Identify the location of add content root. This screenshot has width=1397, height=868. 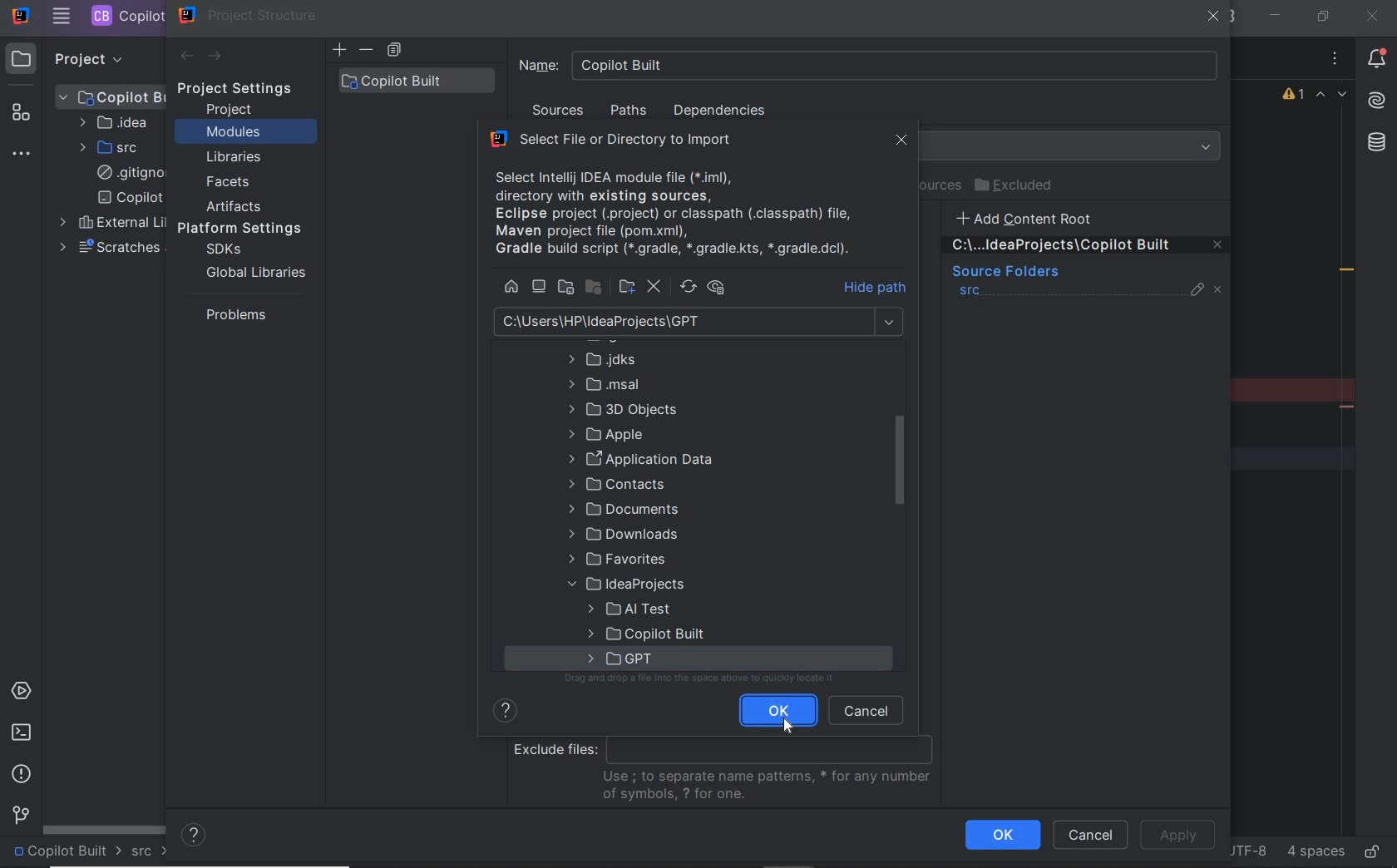
(1034, 218).